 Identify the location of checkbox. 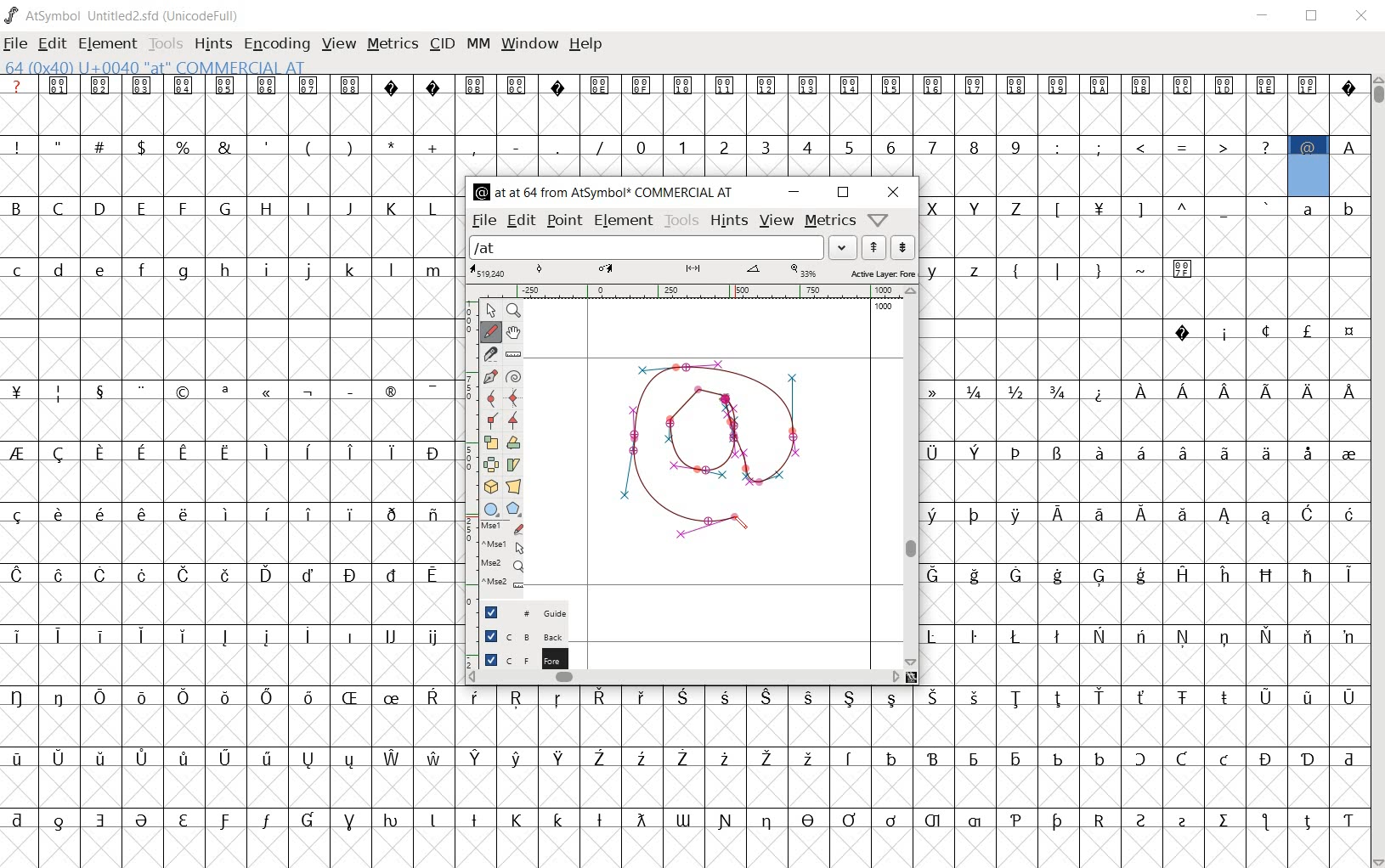
(489, 612).